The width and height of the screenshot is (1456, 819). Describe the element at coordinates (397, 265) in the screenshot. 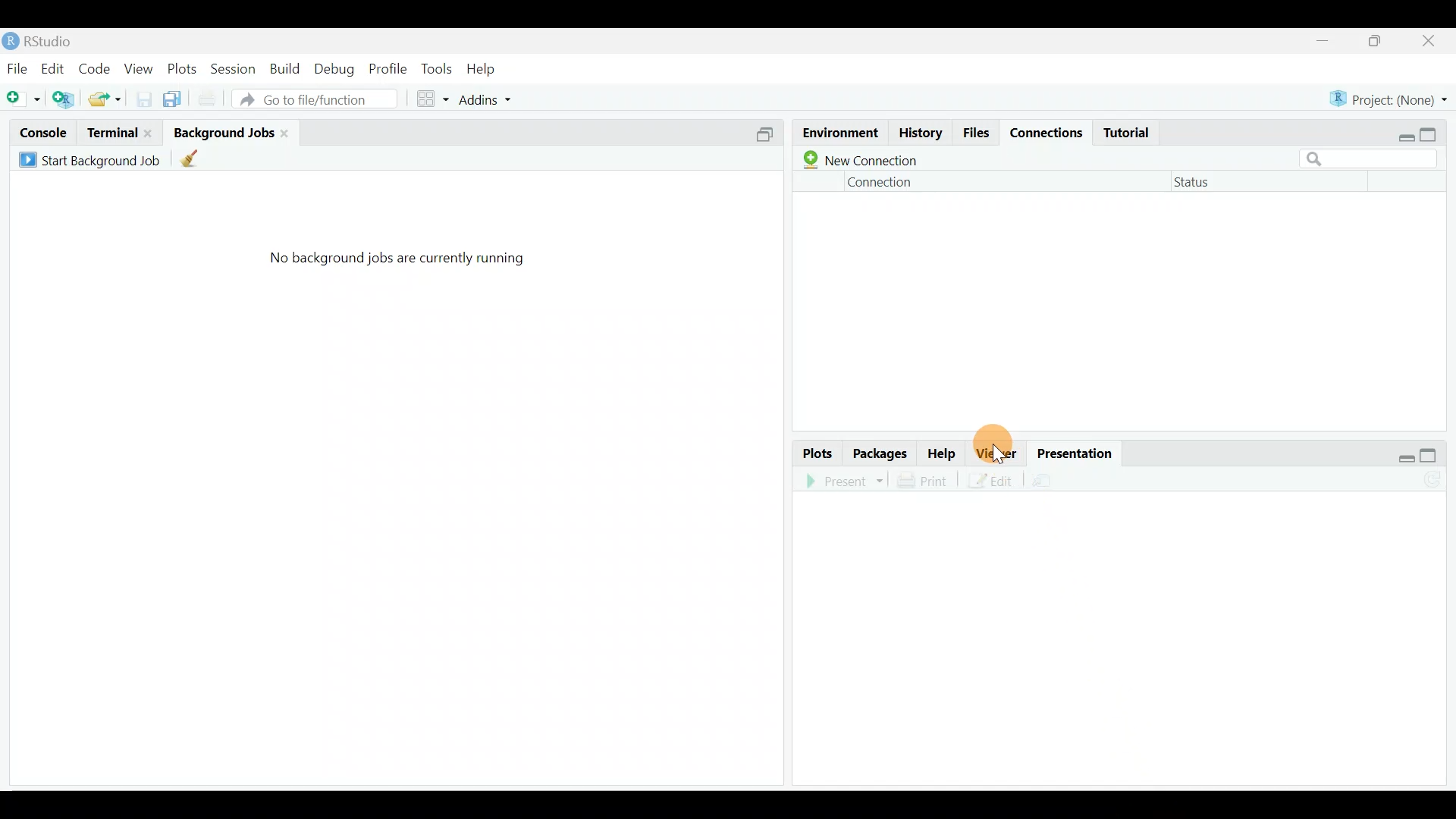

I see `No background jobs are currently running` at that location.